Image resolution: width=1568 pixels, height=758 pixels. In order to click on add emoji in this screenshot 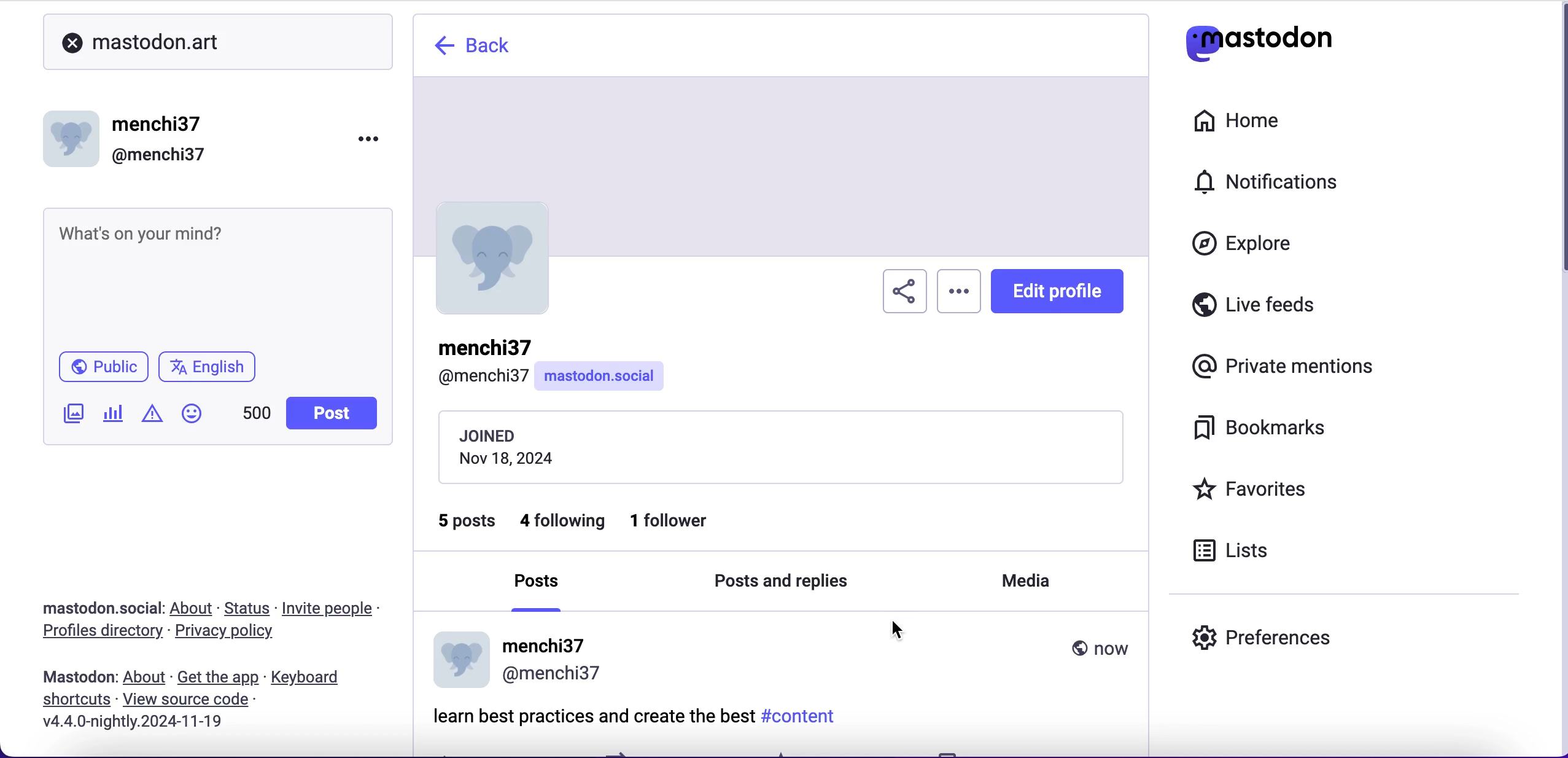, I will do `click(192, 419)`.